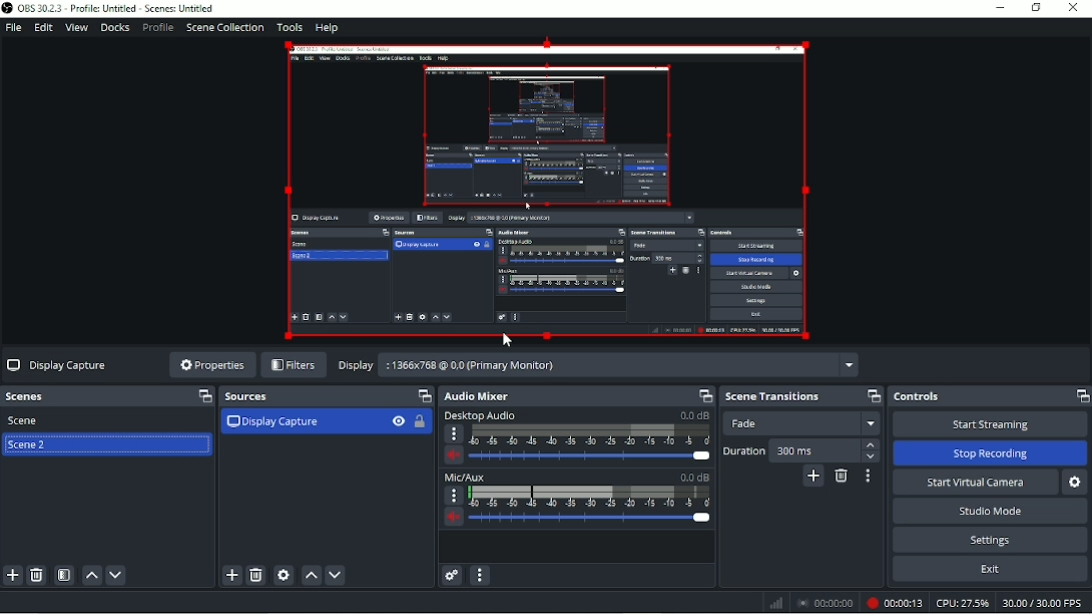  What do you see at coordinates (328, 28) in the screenshot?
I see `Help` at bounding box center [328, 28].